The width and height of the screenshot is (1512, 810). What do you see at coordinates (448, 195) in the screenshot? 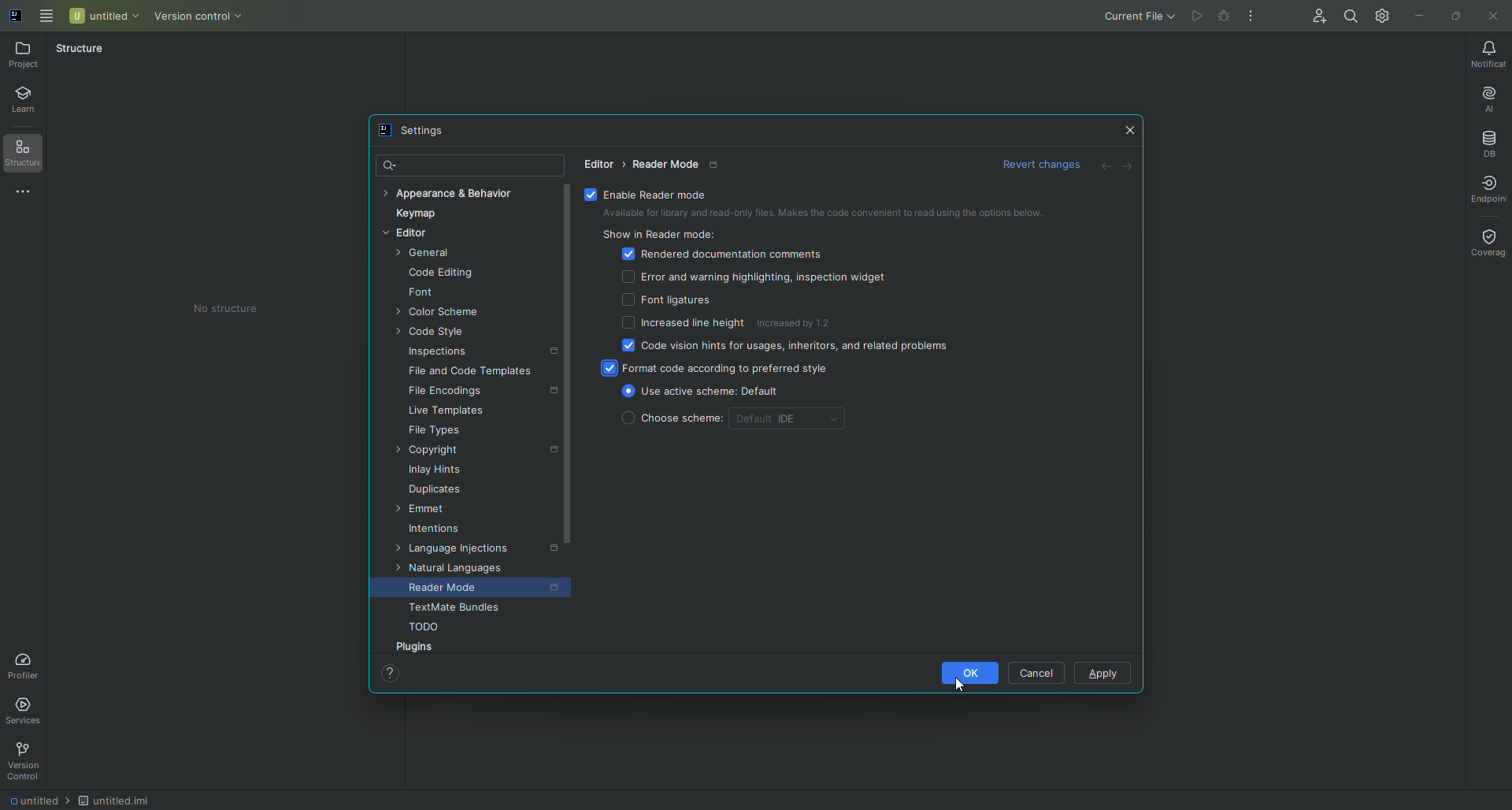
I see `Appearance and Behaviour` at bounding box center [448, 195].